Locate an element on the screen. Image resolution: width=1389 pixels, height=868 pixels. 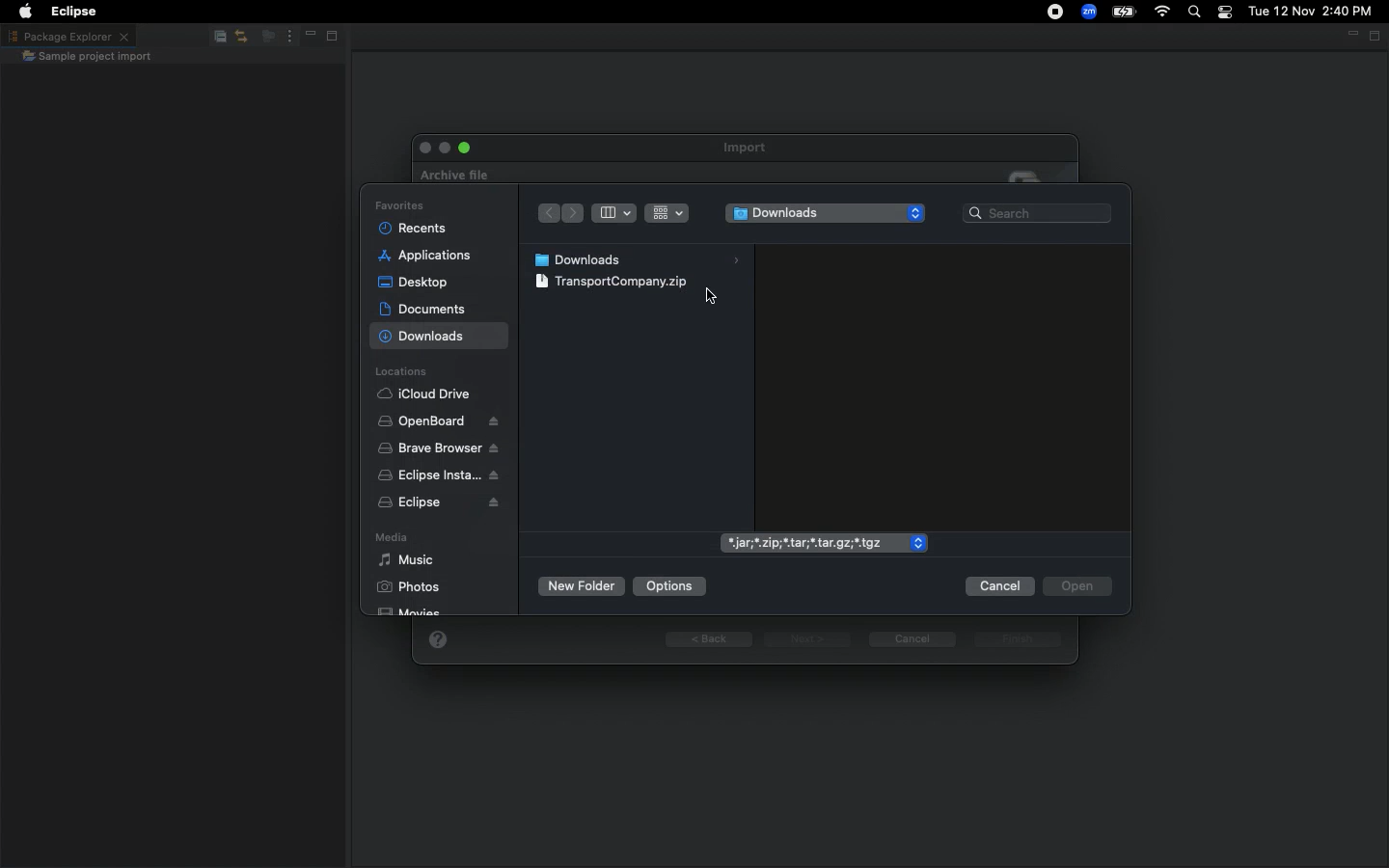
Minimize is located at coordinates (305, 38).